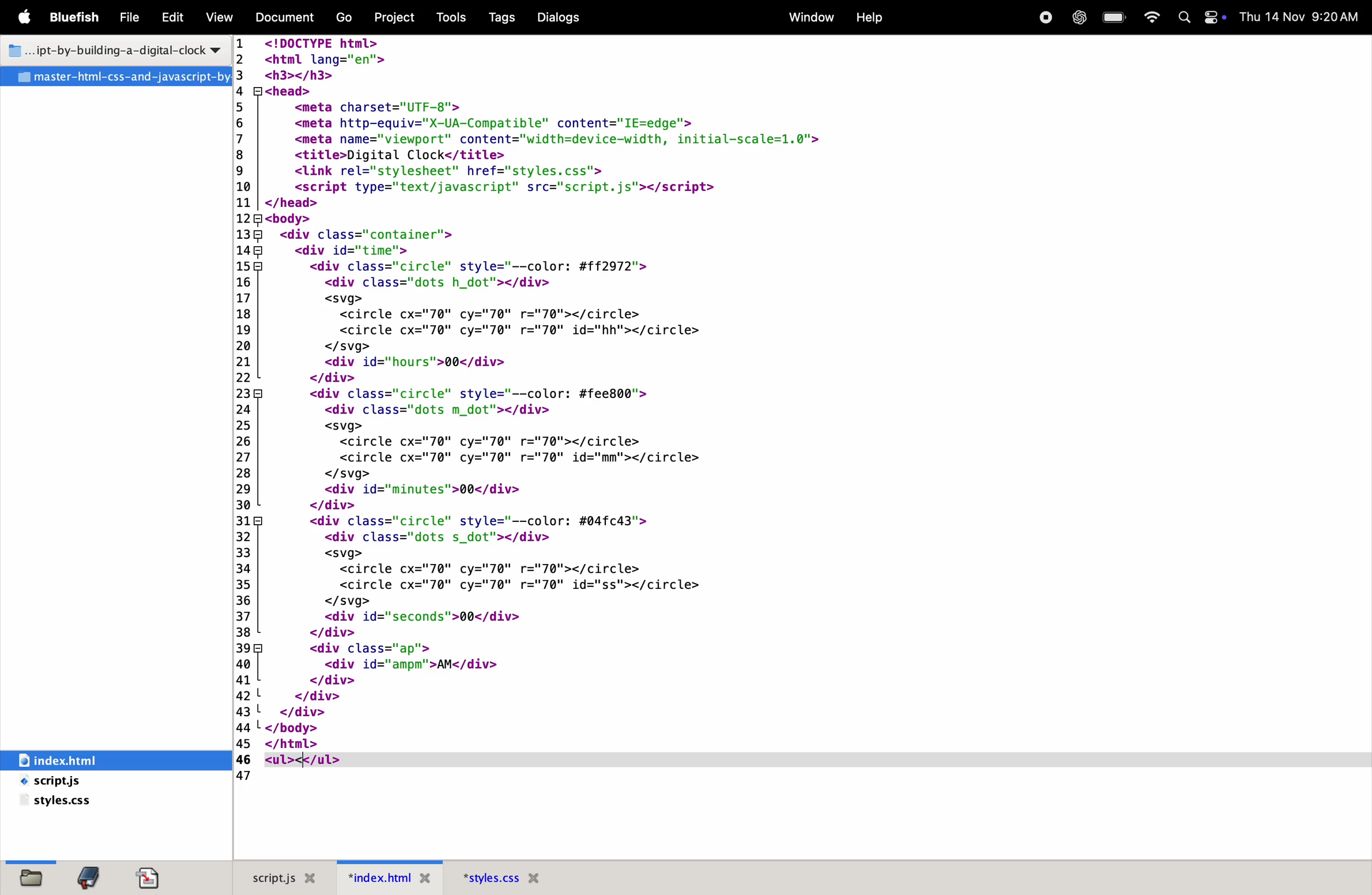 The image size is (1372, 895). What do you see at coordinates (869, 17) in the screenshot?
I see `help` at bounding box center [869, 17].